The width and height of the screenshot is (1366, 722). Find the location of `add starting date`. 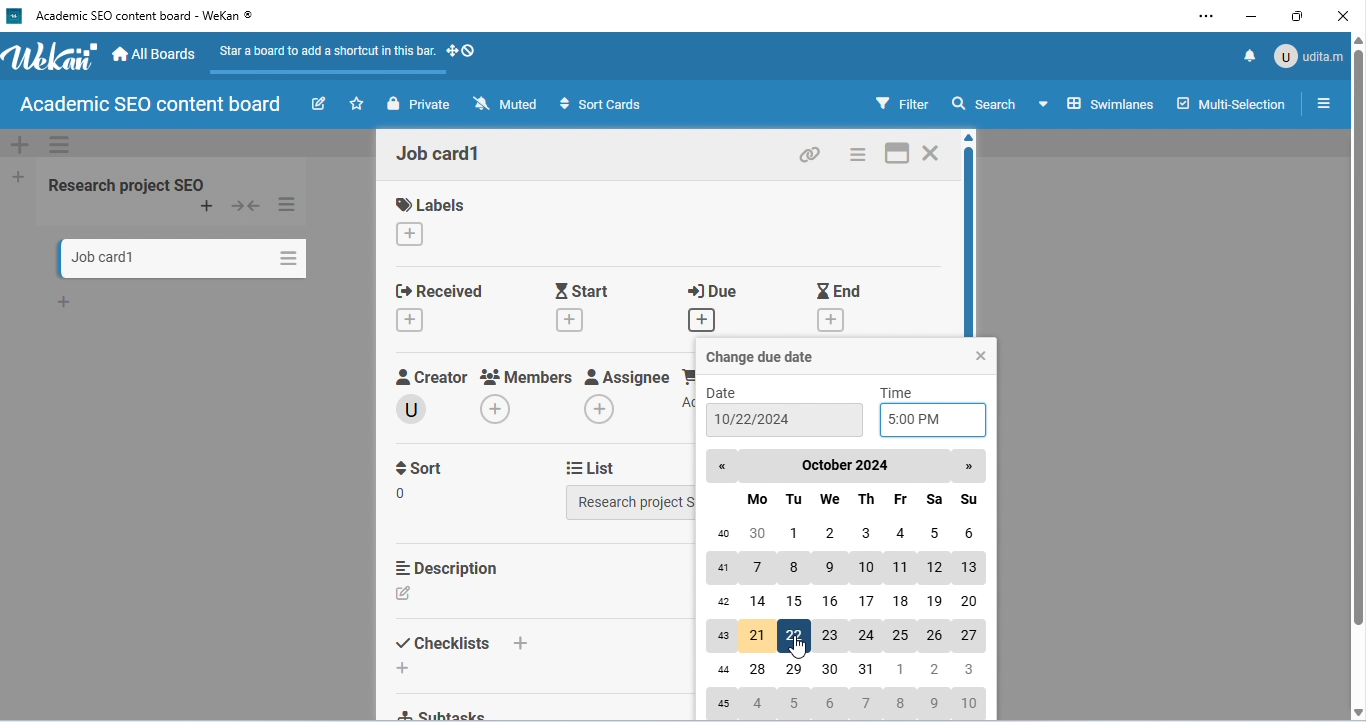

add starting date is located at coordinates (571, 318).